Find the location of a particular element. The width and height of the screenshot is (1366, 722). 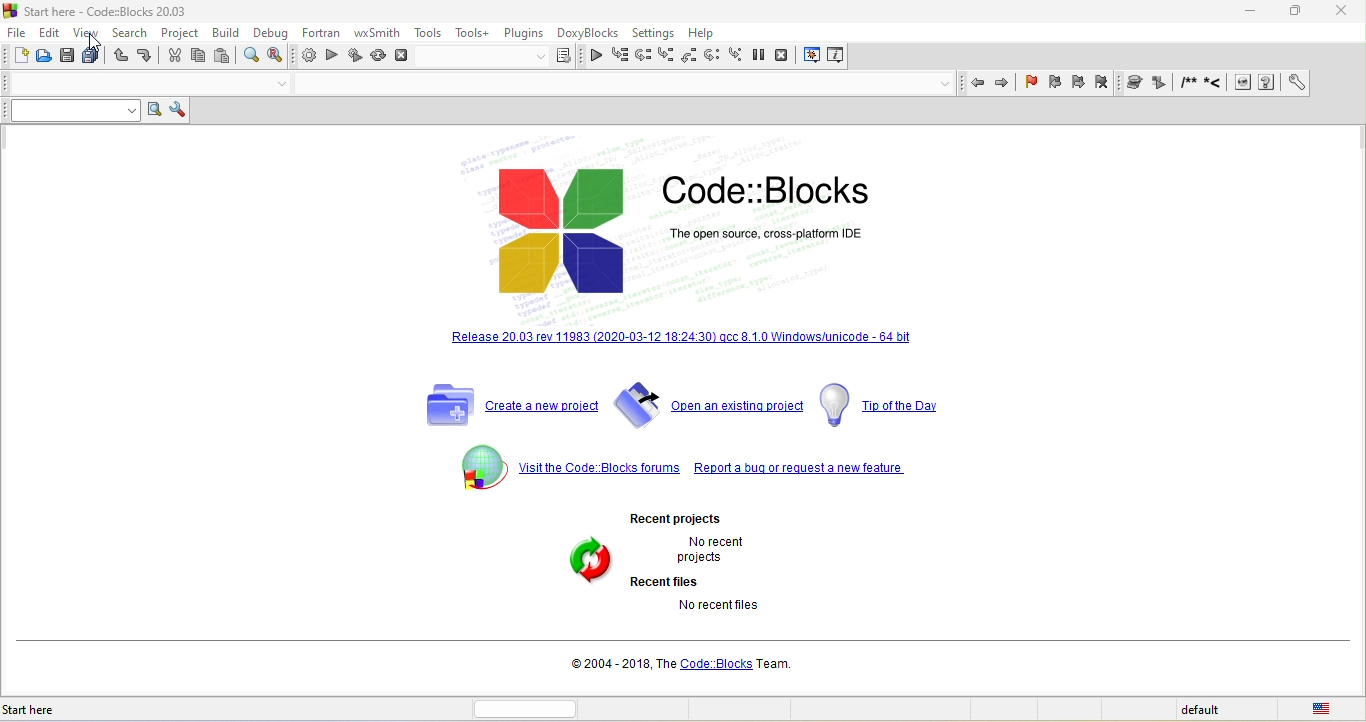

stop debugger is located at coordinates (787, 55).